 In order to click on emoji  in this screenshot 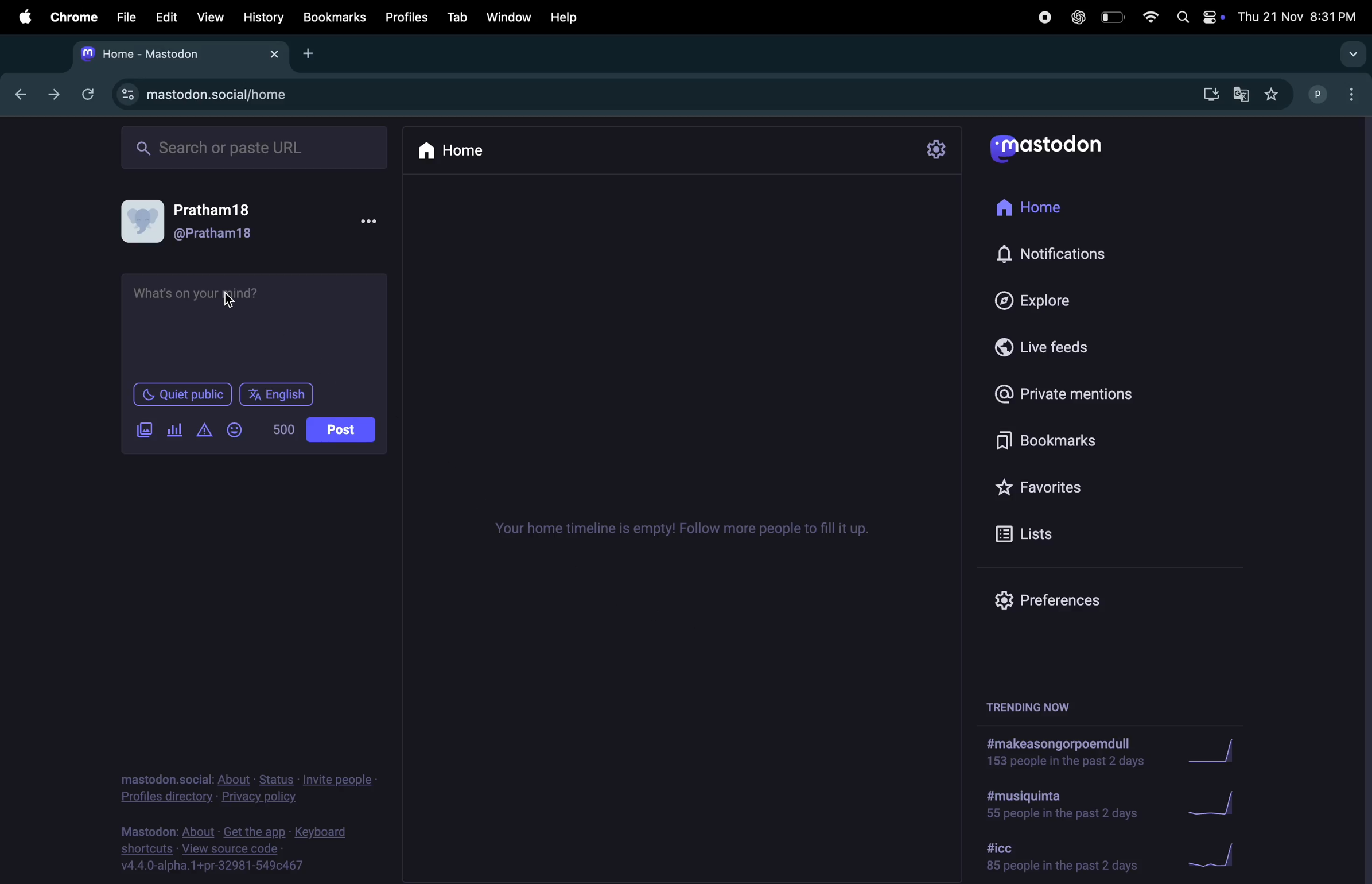, I will do `click(237, 429)`.